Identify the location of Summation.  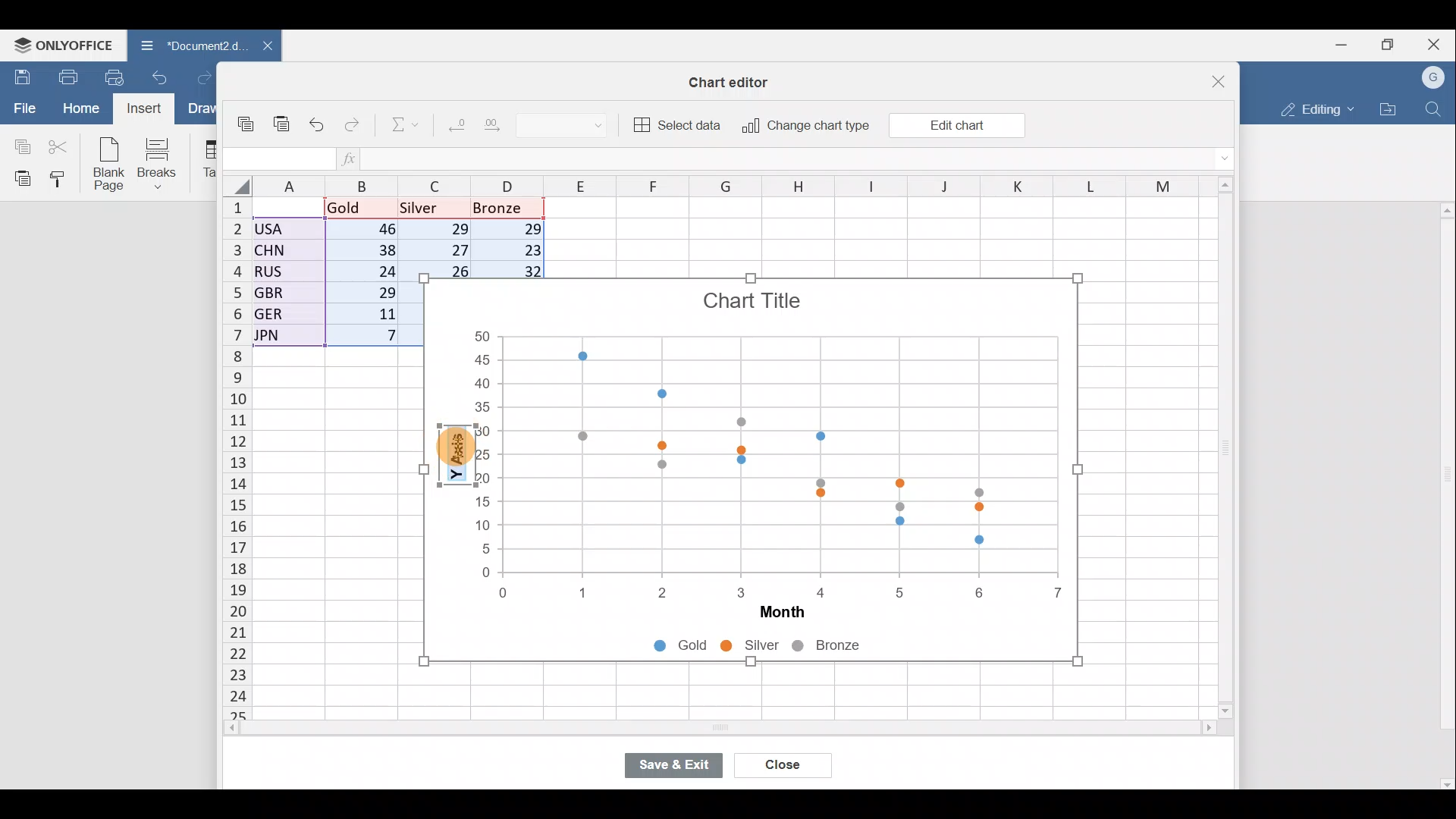
(397, 127).